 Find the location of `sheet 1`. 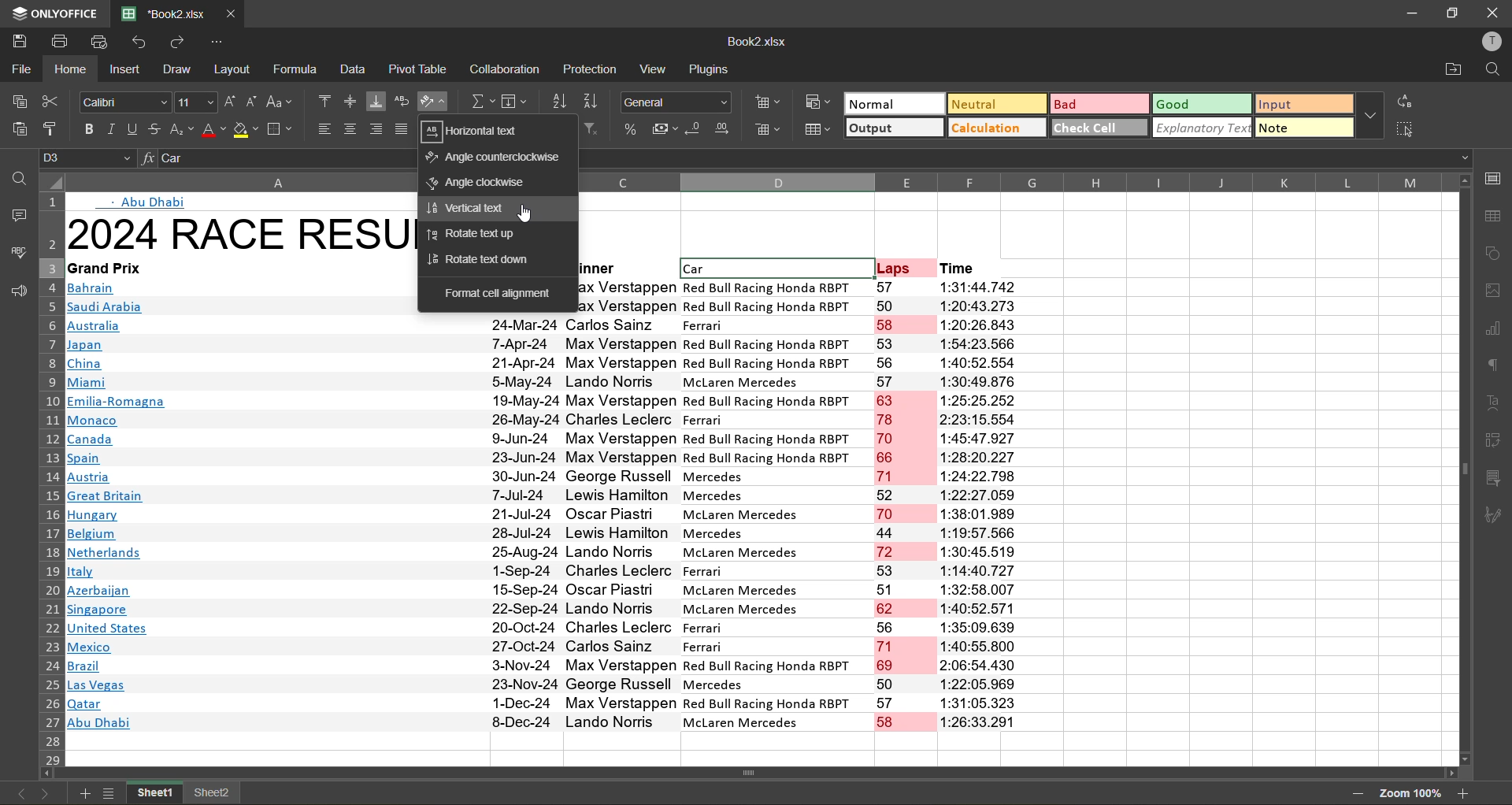

sheet 1 is located at coordinates (155, 793).